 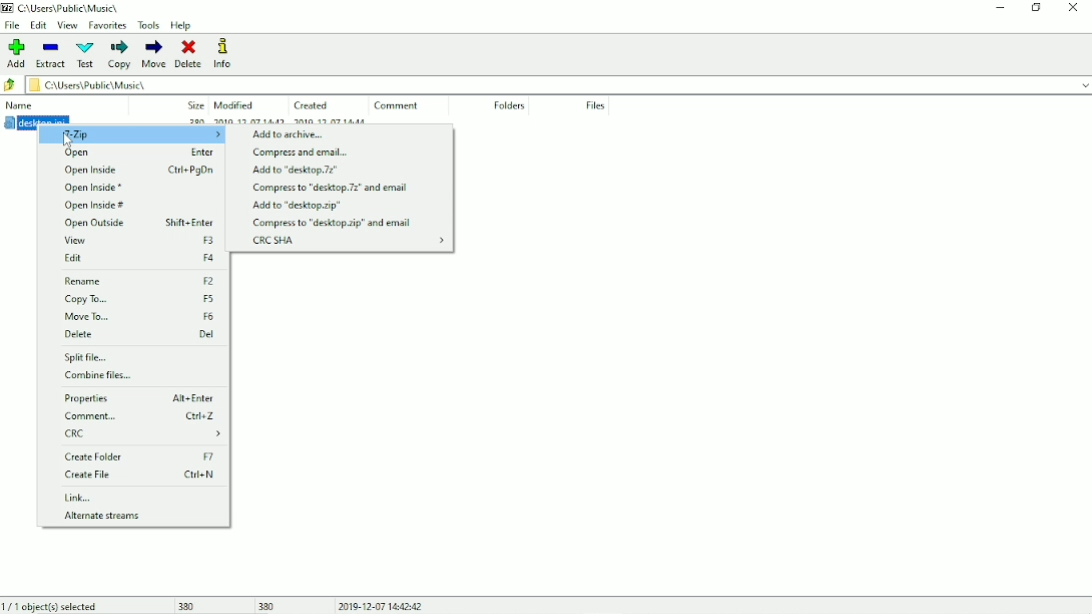 I want to click on Add, so click(x=16, y=53).